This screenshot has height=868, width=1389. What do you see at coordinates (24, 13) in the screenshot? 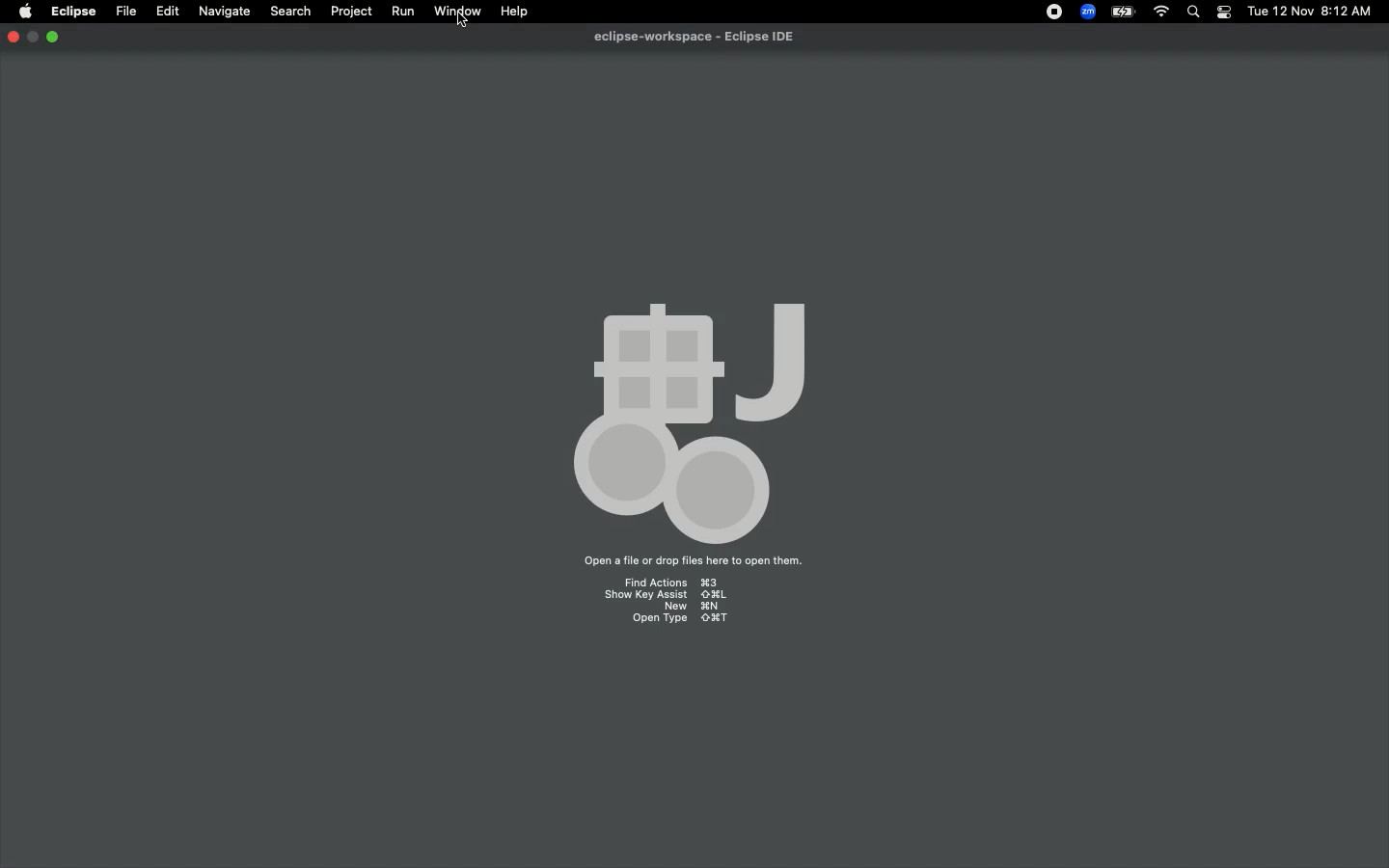
I see `Apple logo` at bounding box center [24, 13].